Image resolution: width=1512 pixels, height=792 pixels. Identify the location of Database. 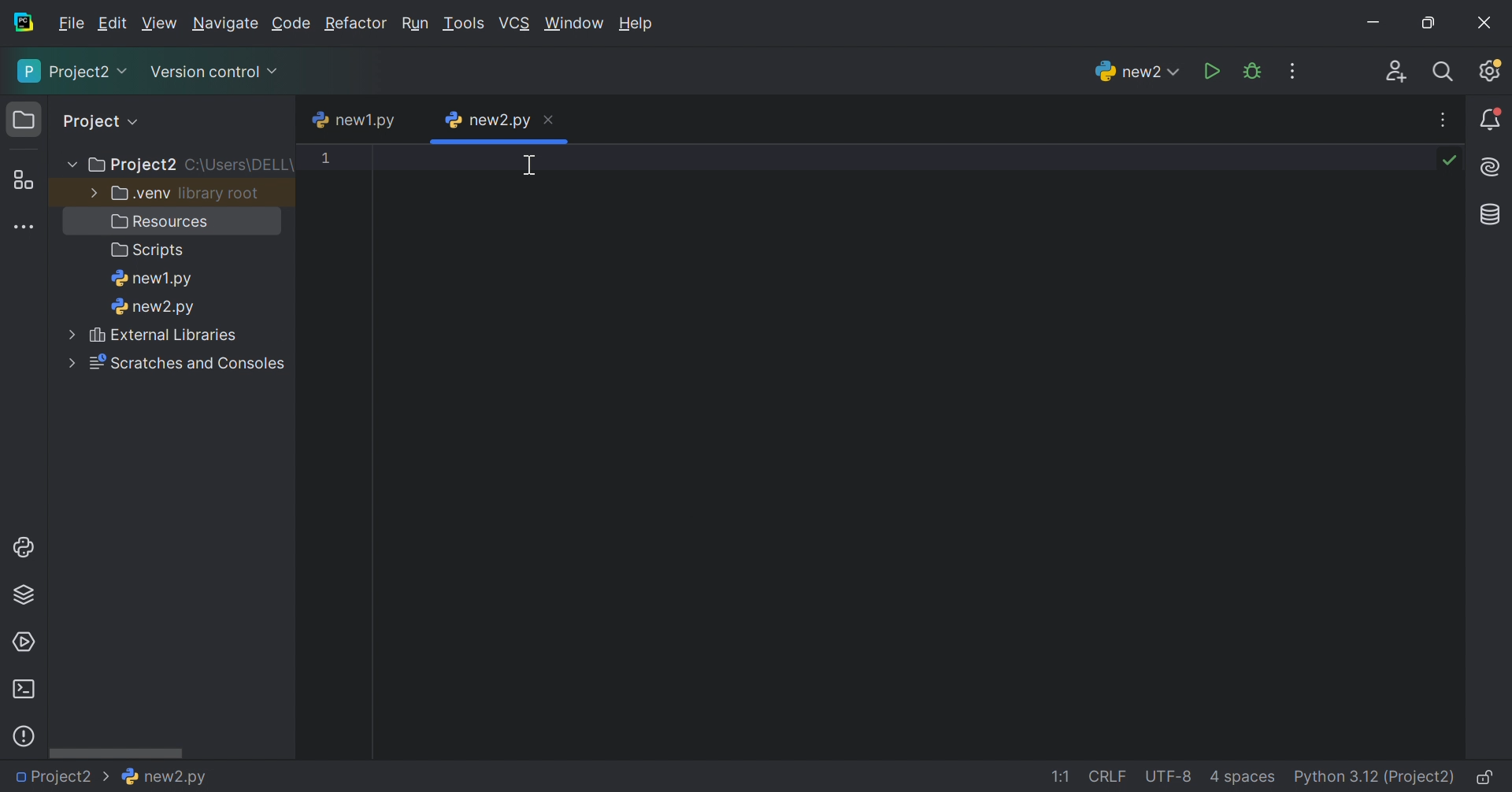
(1492, 216).